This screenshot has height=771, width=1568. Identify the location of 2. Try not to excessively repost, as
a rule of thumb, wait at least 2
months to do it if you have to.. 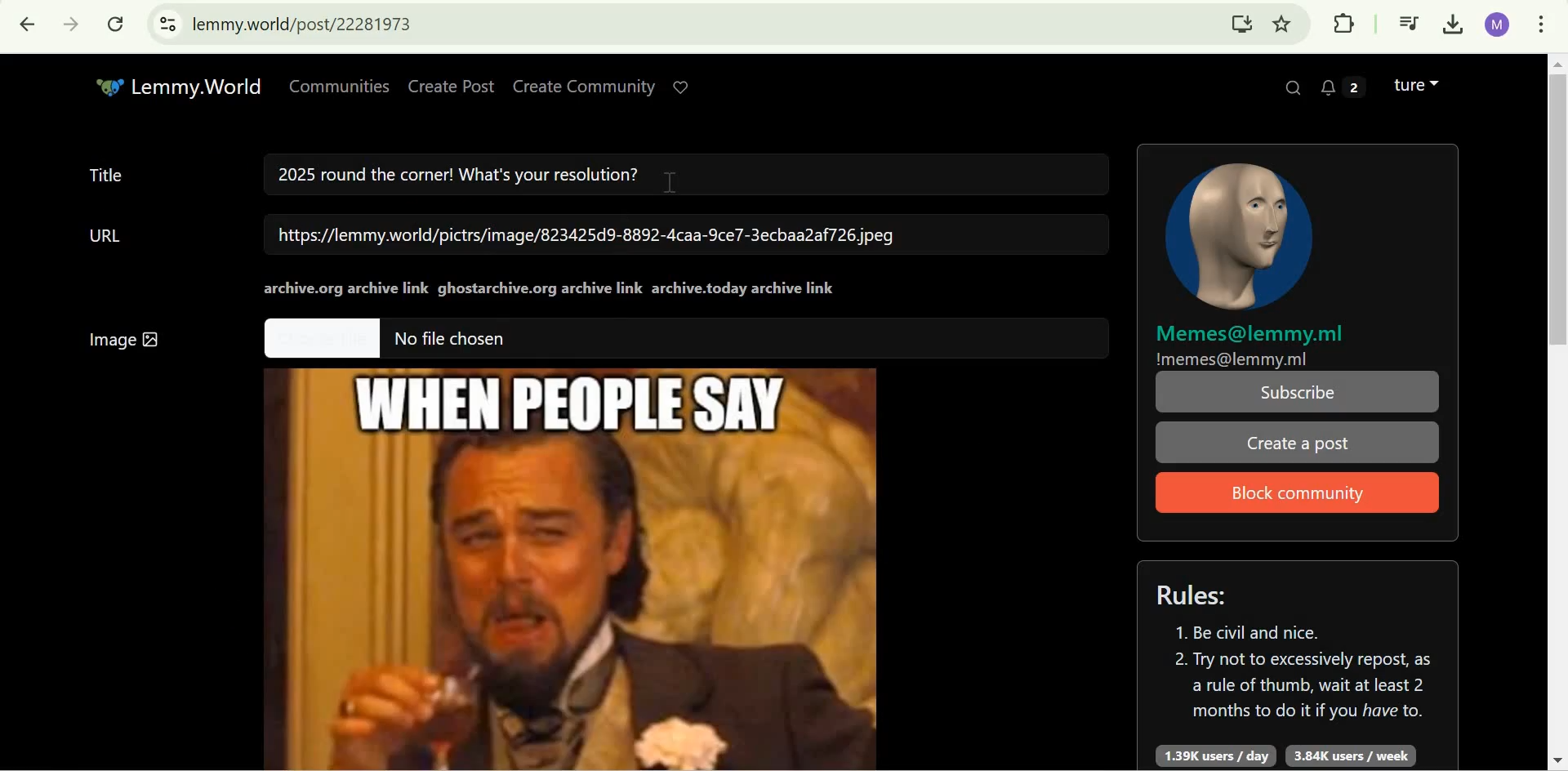
(1303, 687).